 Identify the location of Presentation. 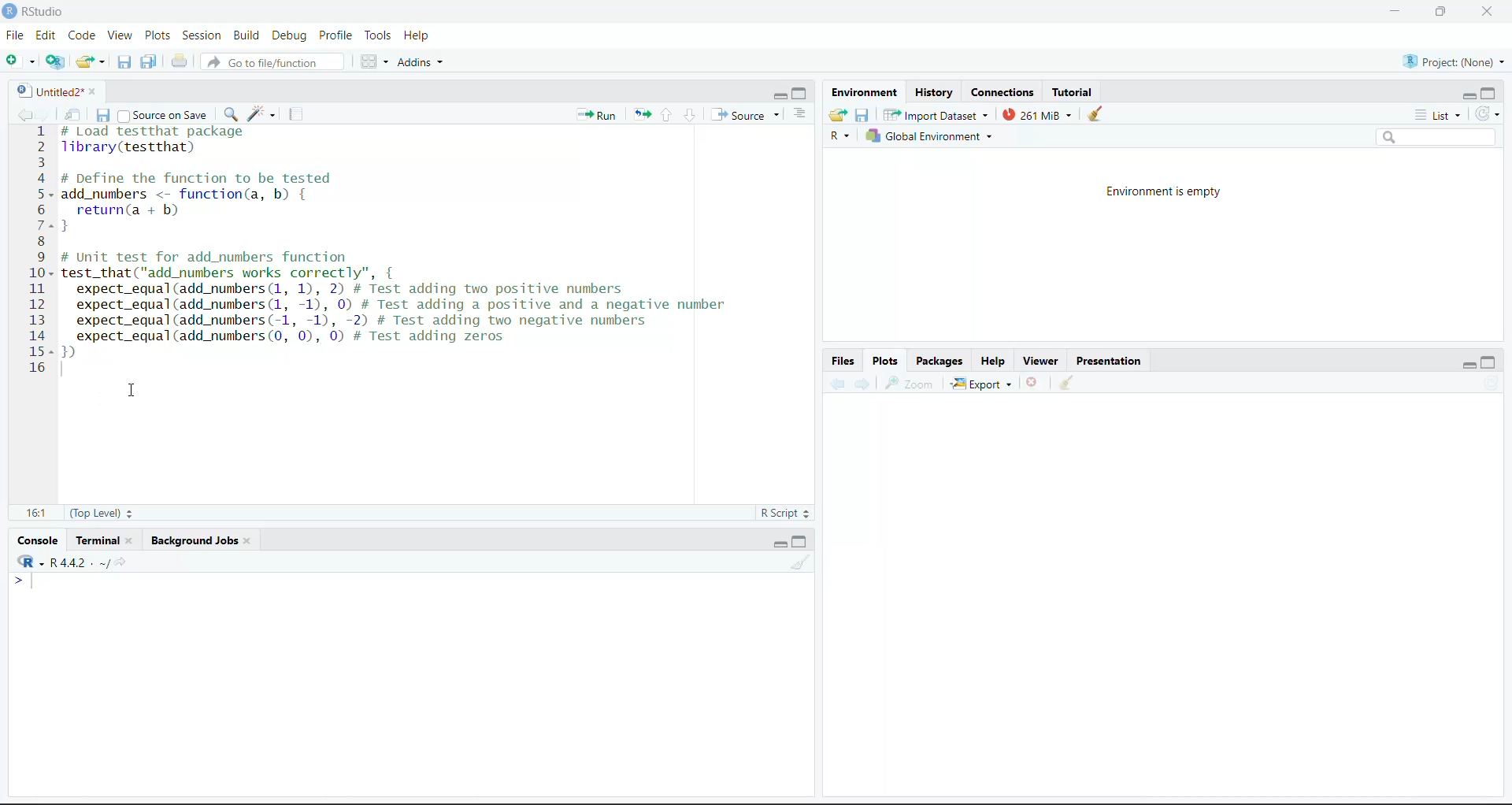
(1110, 360).